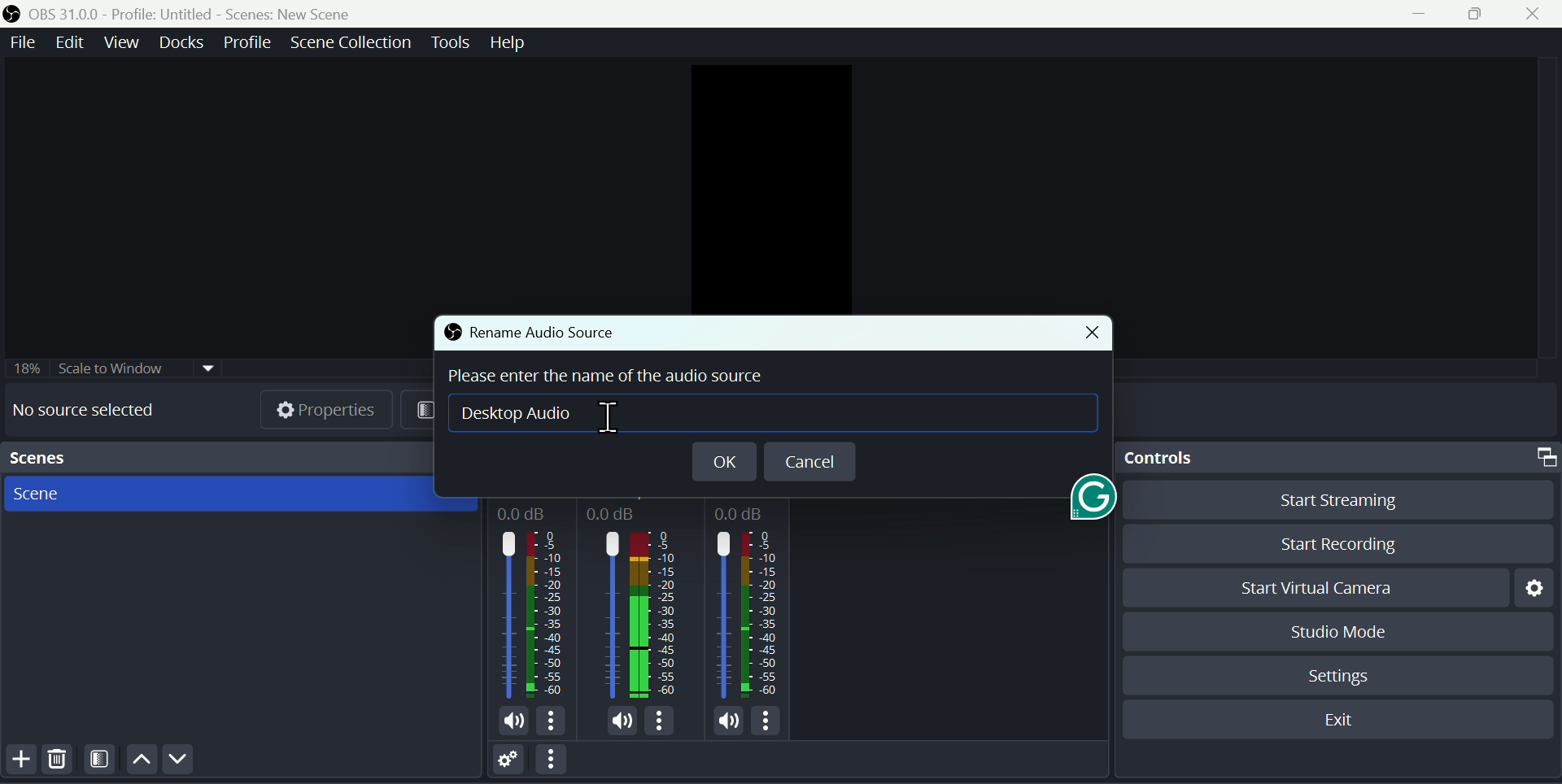  I want to click on Audiobar, so click(643, 616).